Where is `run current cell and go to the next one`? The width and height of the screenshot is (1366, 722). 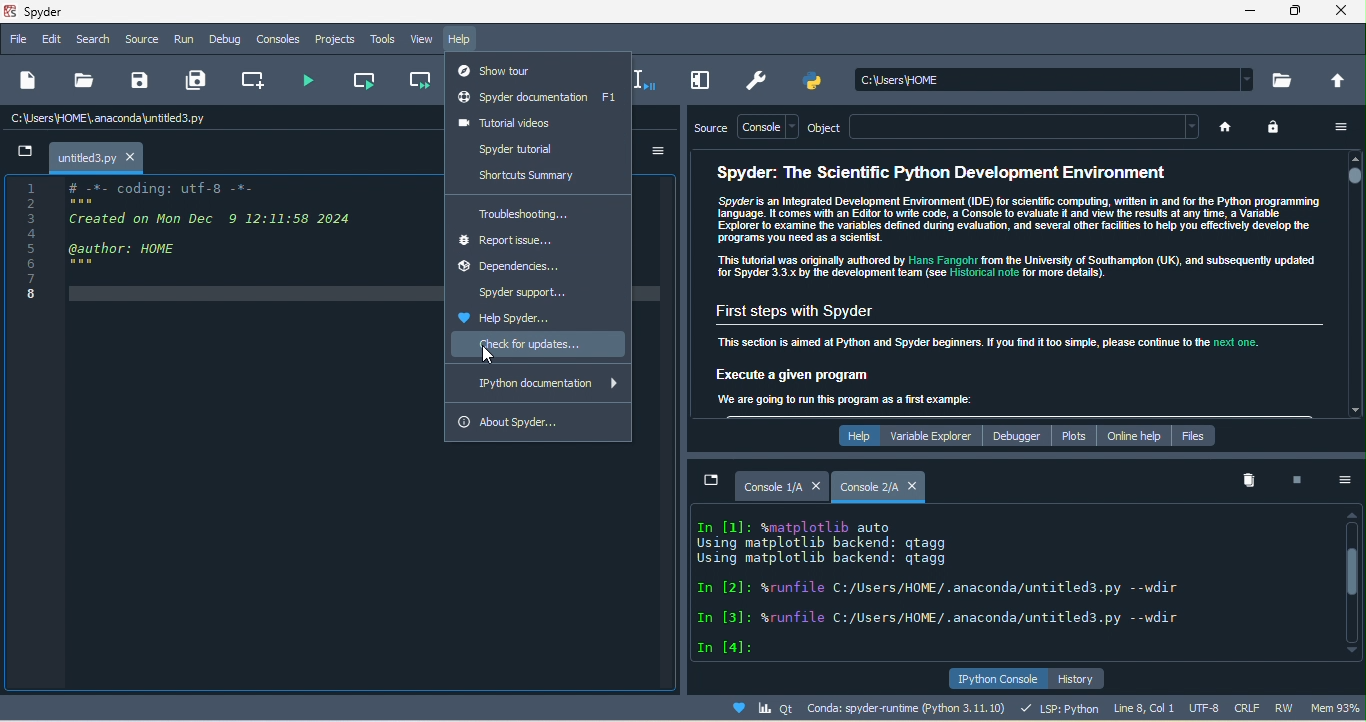 run current cell and go to the next one is located at coordinates (416, 80).